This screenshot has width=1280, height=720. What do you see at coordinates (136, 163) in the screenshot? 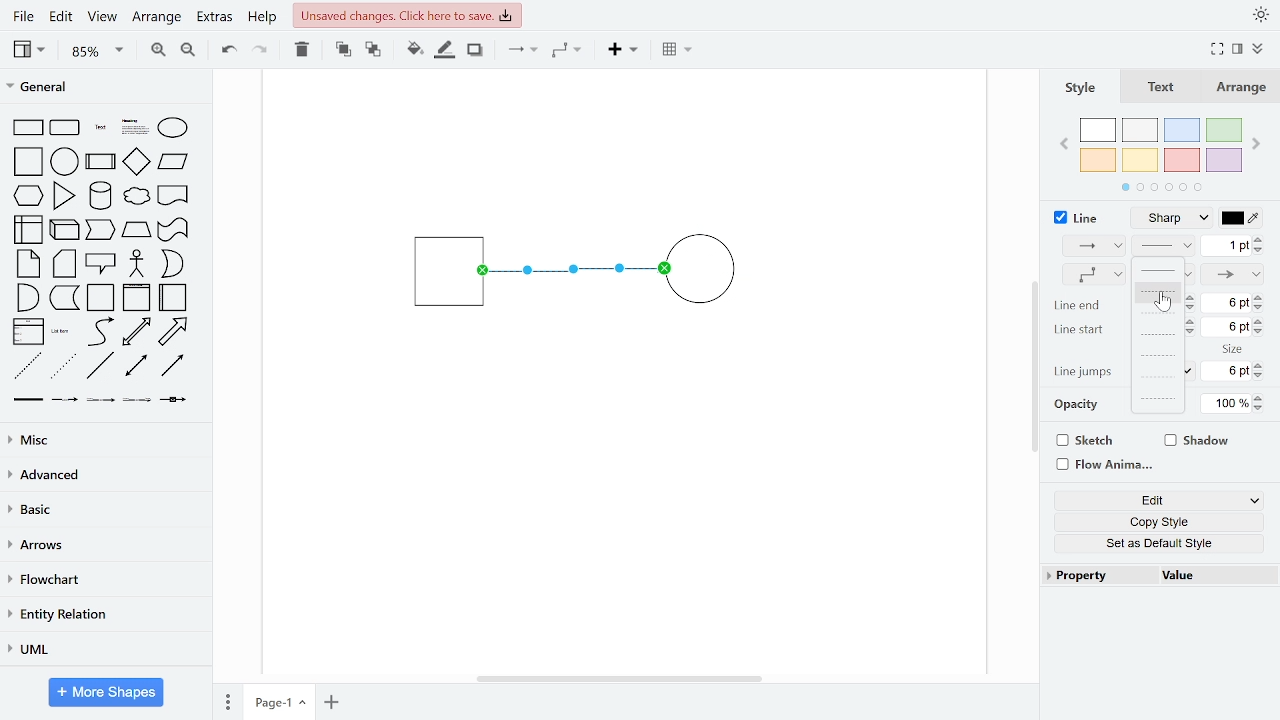
I see `diamond` at bounding box center [136, 163].